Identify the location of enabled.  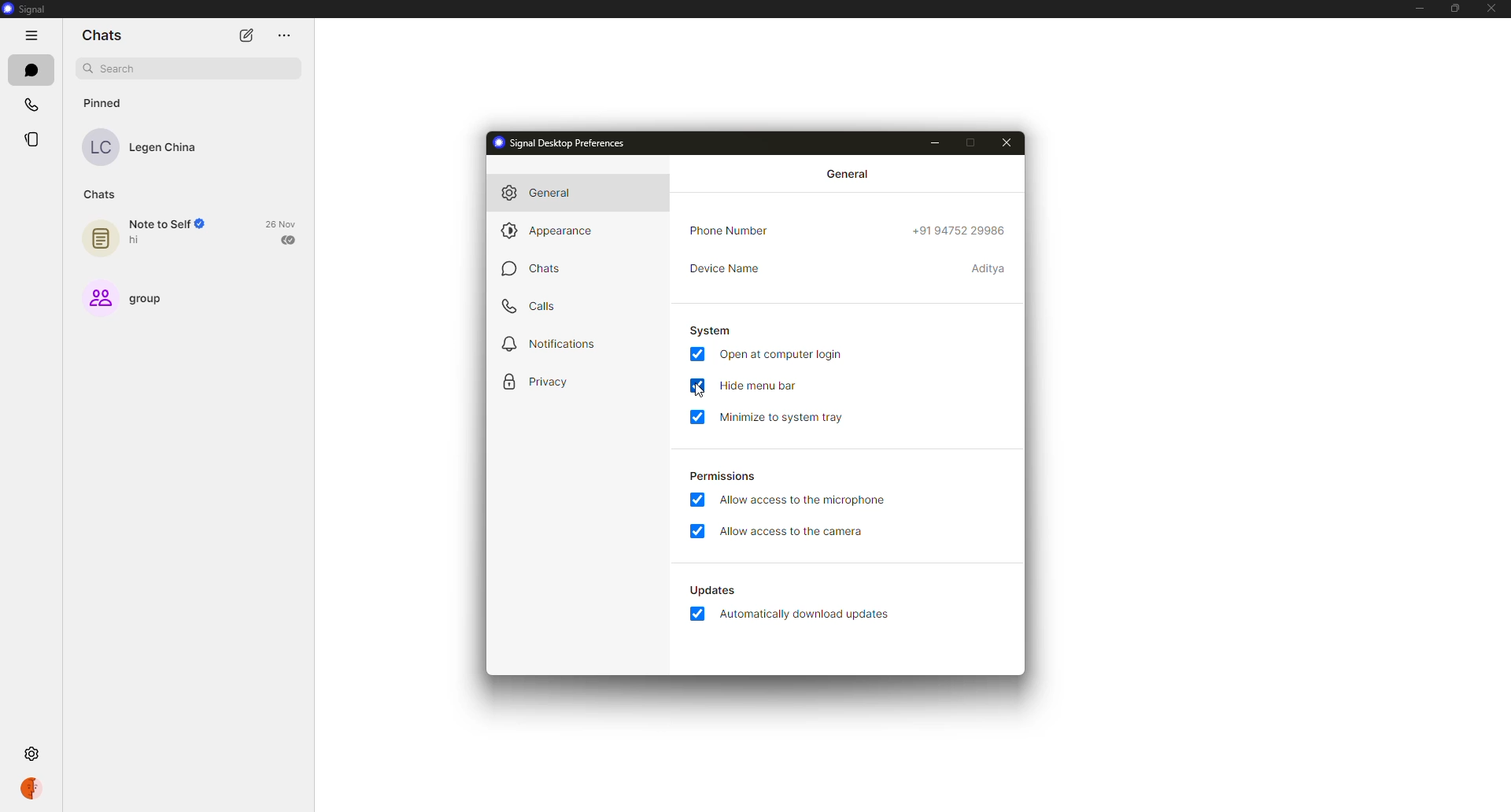
(697, 416).